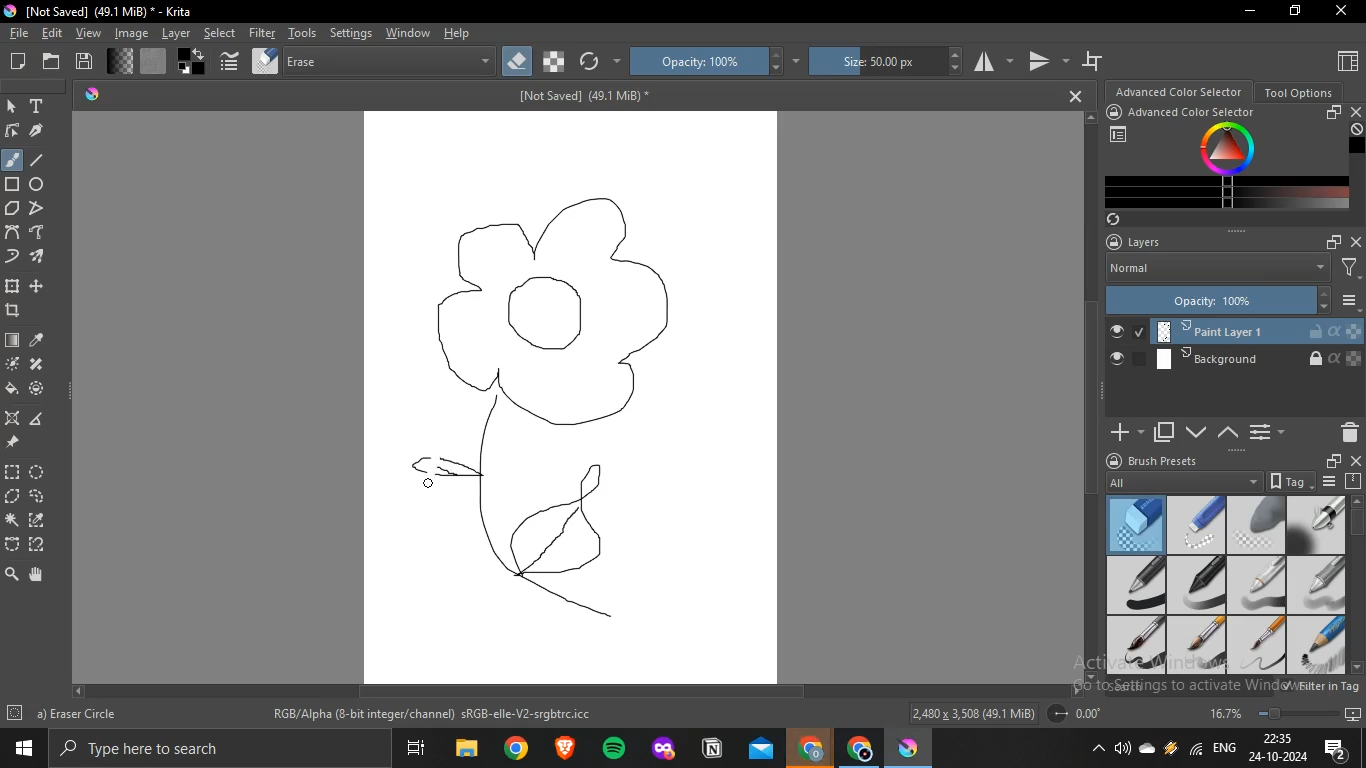 This screenshot has width=1366, height=768. Describe the element at coordinates (1164, 433) in the screenshot. I see `duplicate layer or mask layer` at that location.